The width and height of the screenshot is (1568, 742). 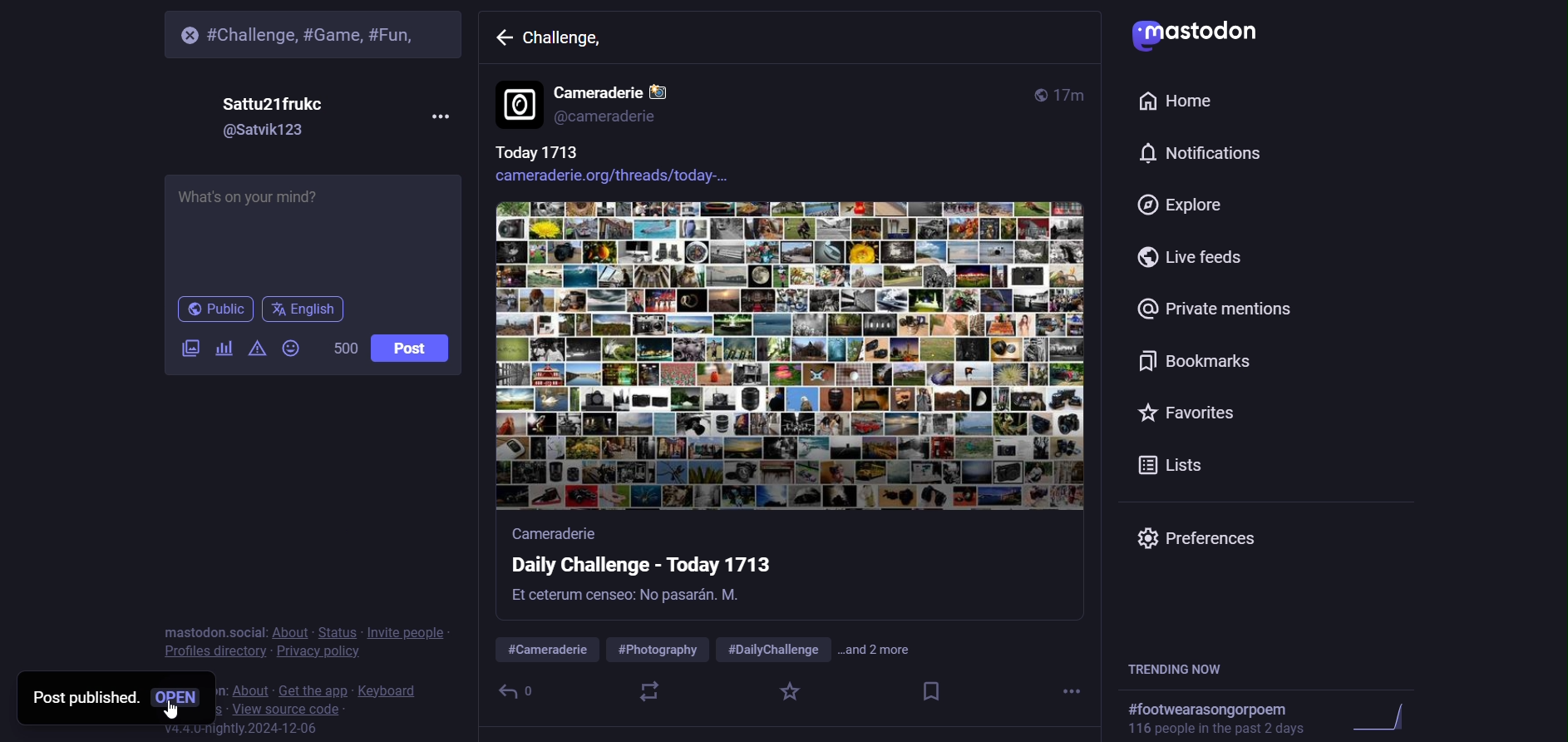 What do you see at coordinates (179, 695) in the screenshot?
I see `open` at bounding box center [179, 695].